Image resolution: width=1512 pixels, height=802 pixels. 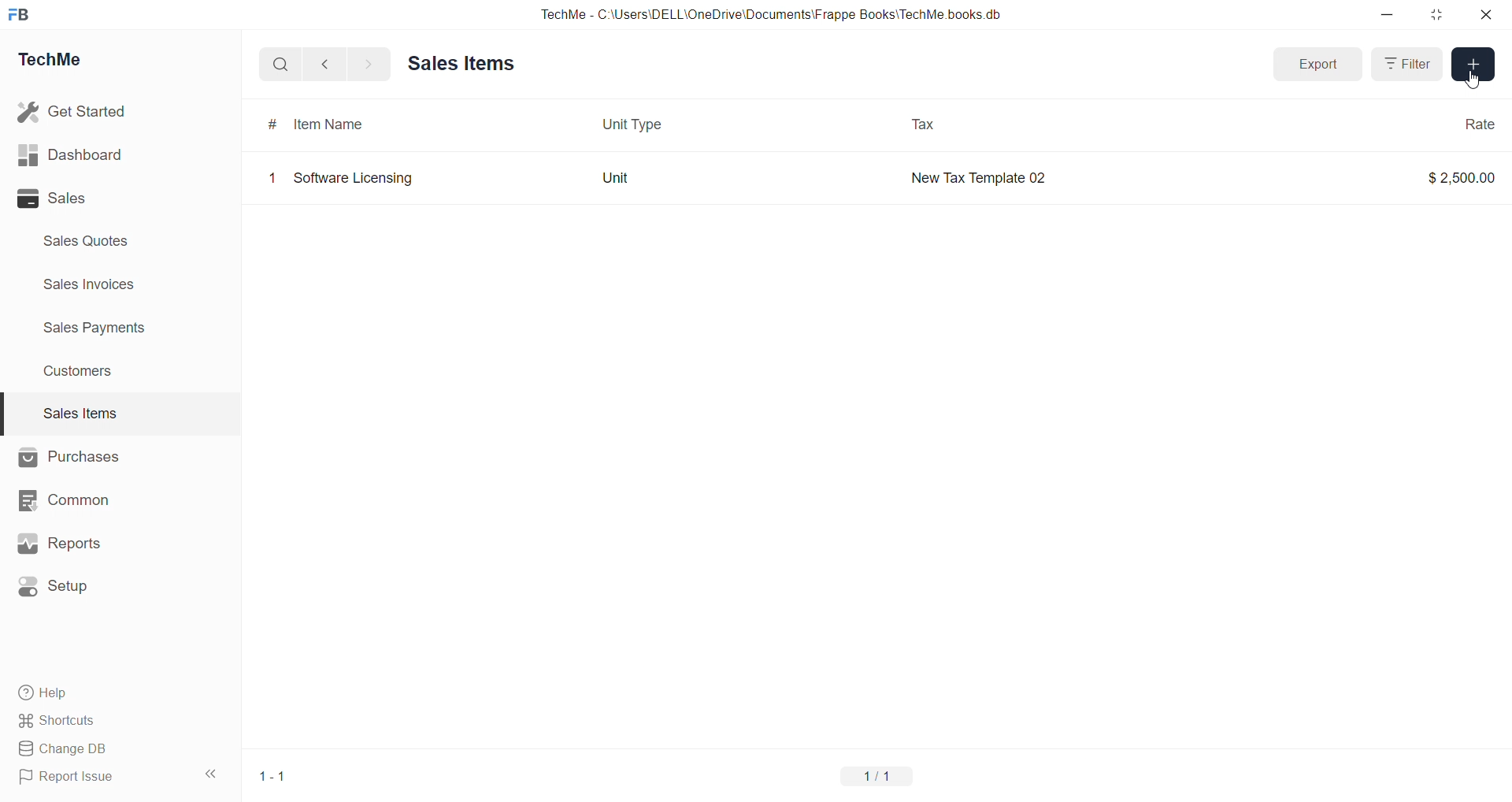 What do you see at coordinates (878, 776) in the screenshot?
I see `1/1` at bounding box center [878, 776].